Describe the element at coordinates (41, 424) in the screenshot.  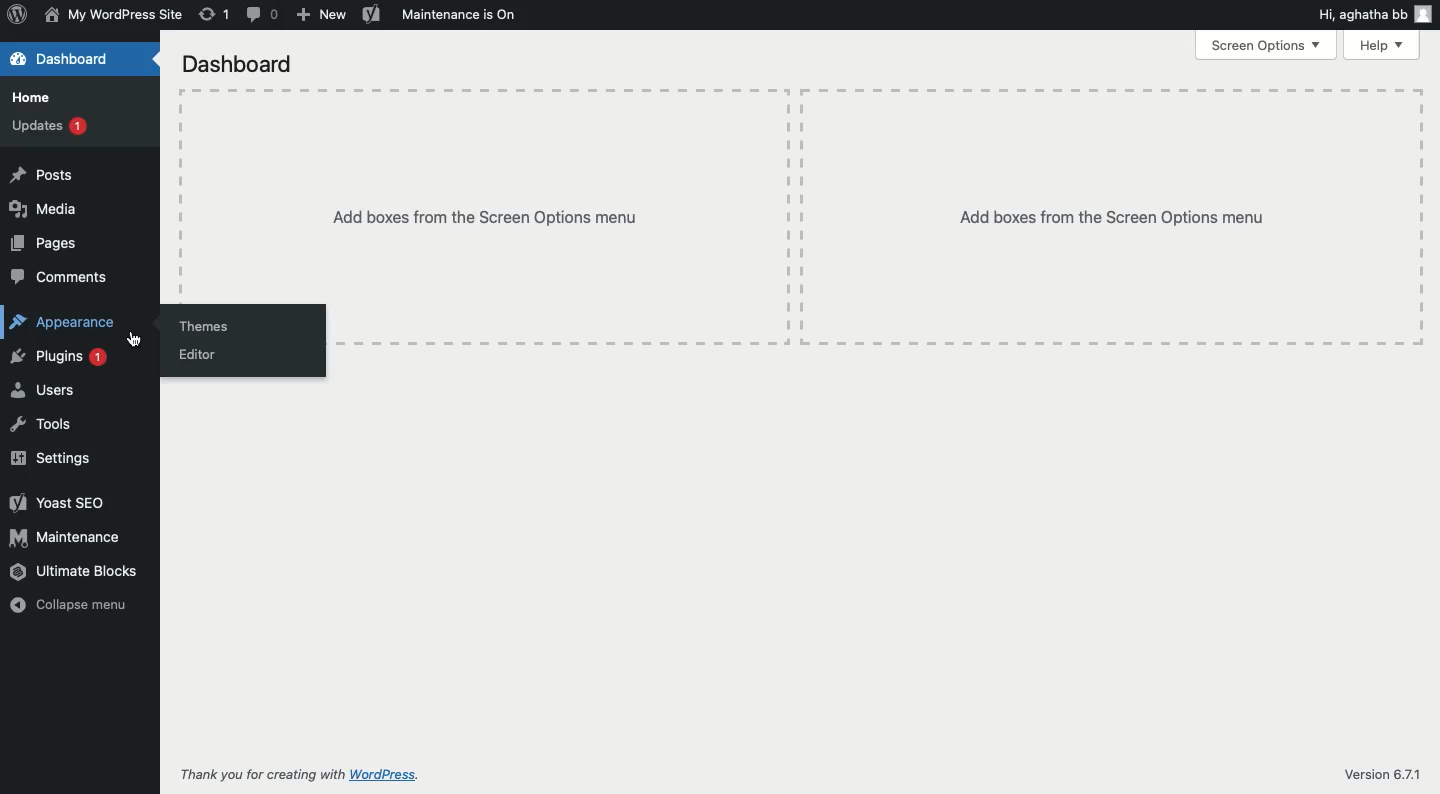
I see `Tools` at that location.